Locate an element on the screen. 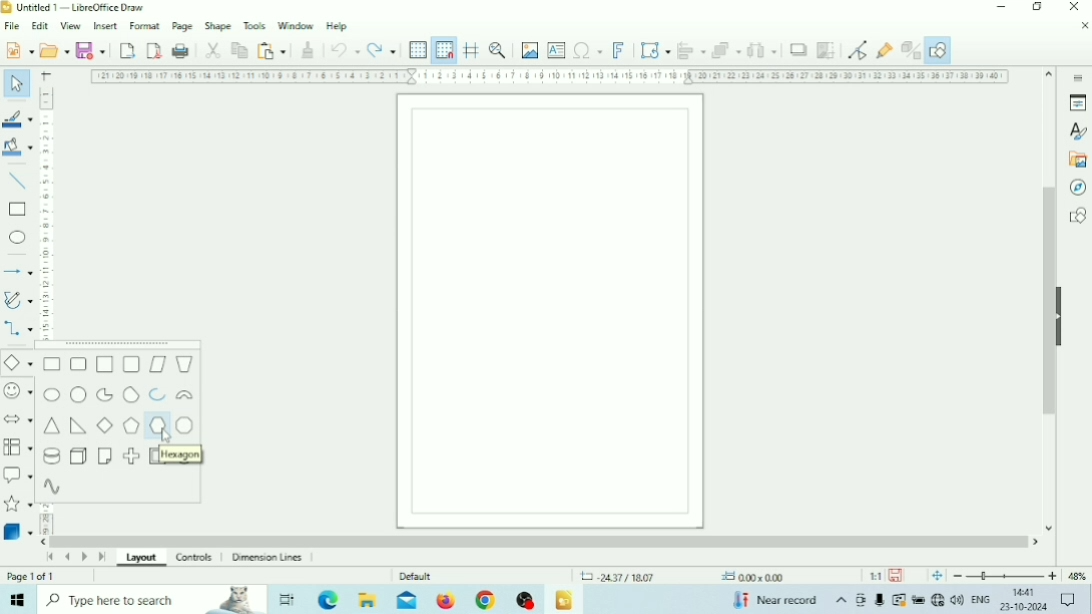 This screenshot has height=614, width=1092. Export directly as PDF is located at coordinates (155, 49).